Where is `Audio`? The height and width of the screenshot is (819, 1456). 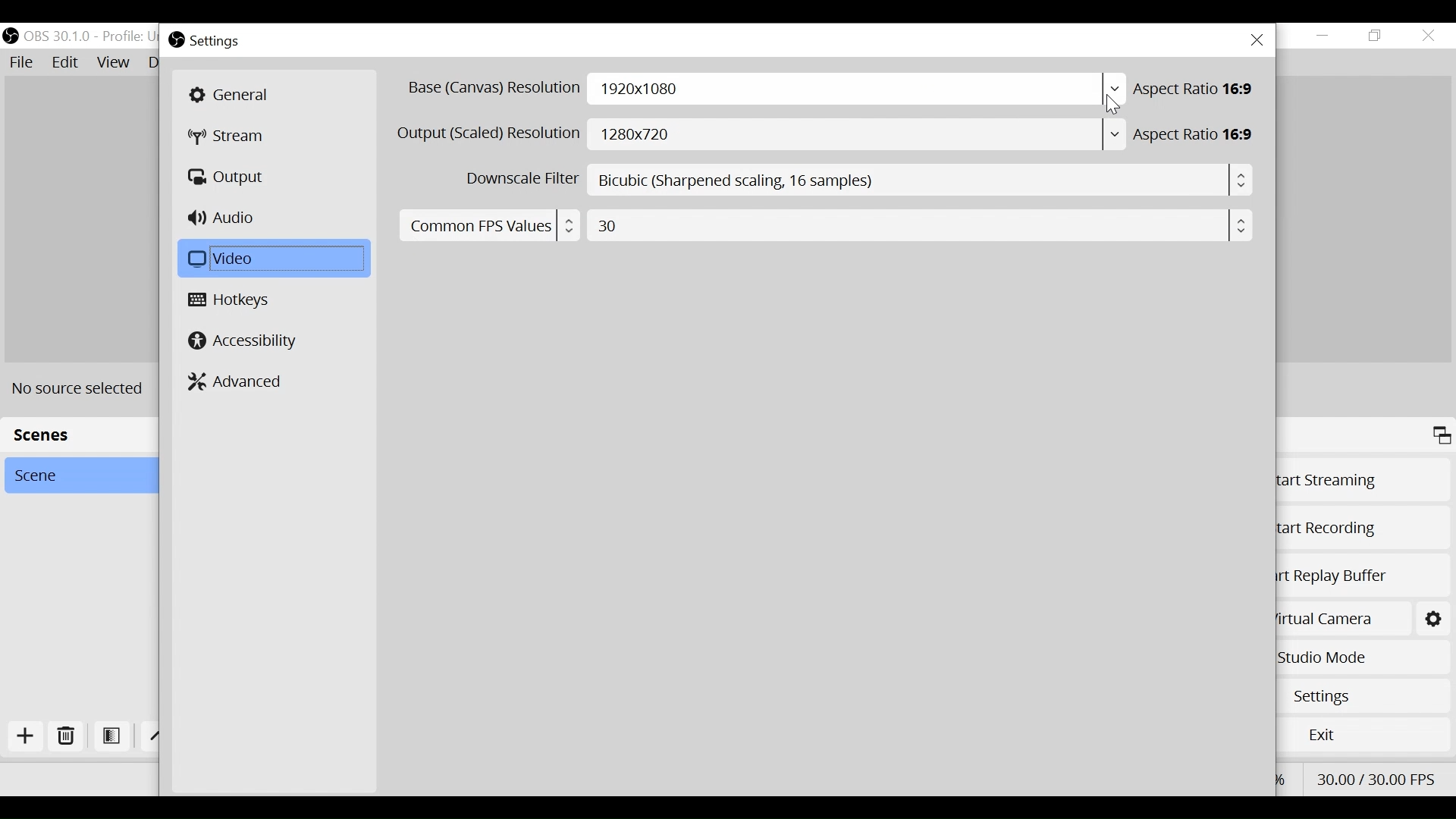
Audio is located at coordinates (225, 219).